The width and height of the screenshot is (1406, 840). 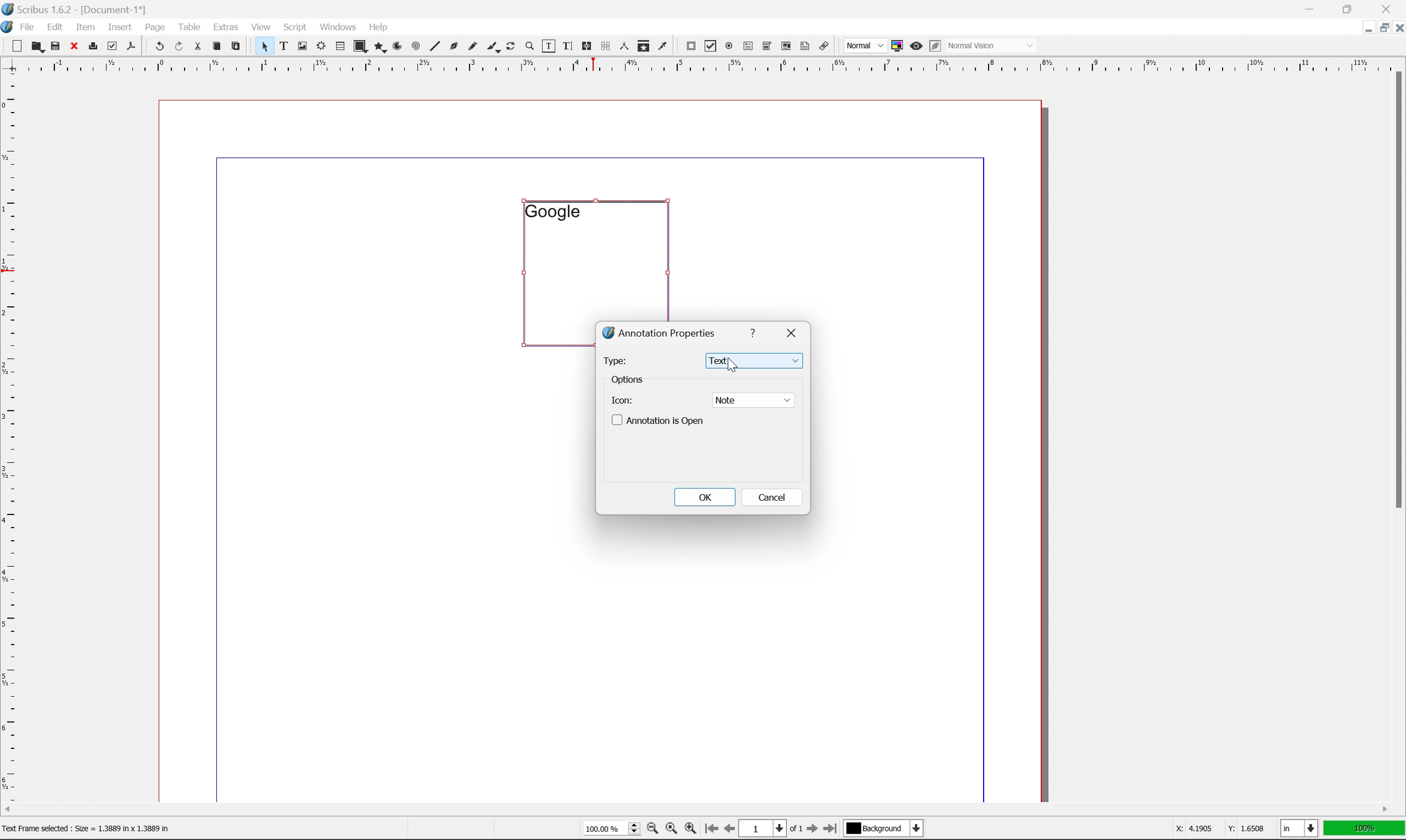 What do you see at coordinates (1361, 27) in the screenshot?
I see `minimize` at bounding box center [1361, 27].